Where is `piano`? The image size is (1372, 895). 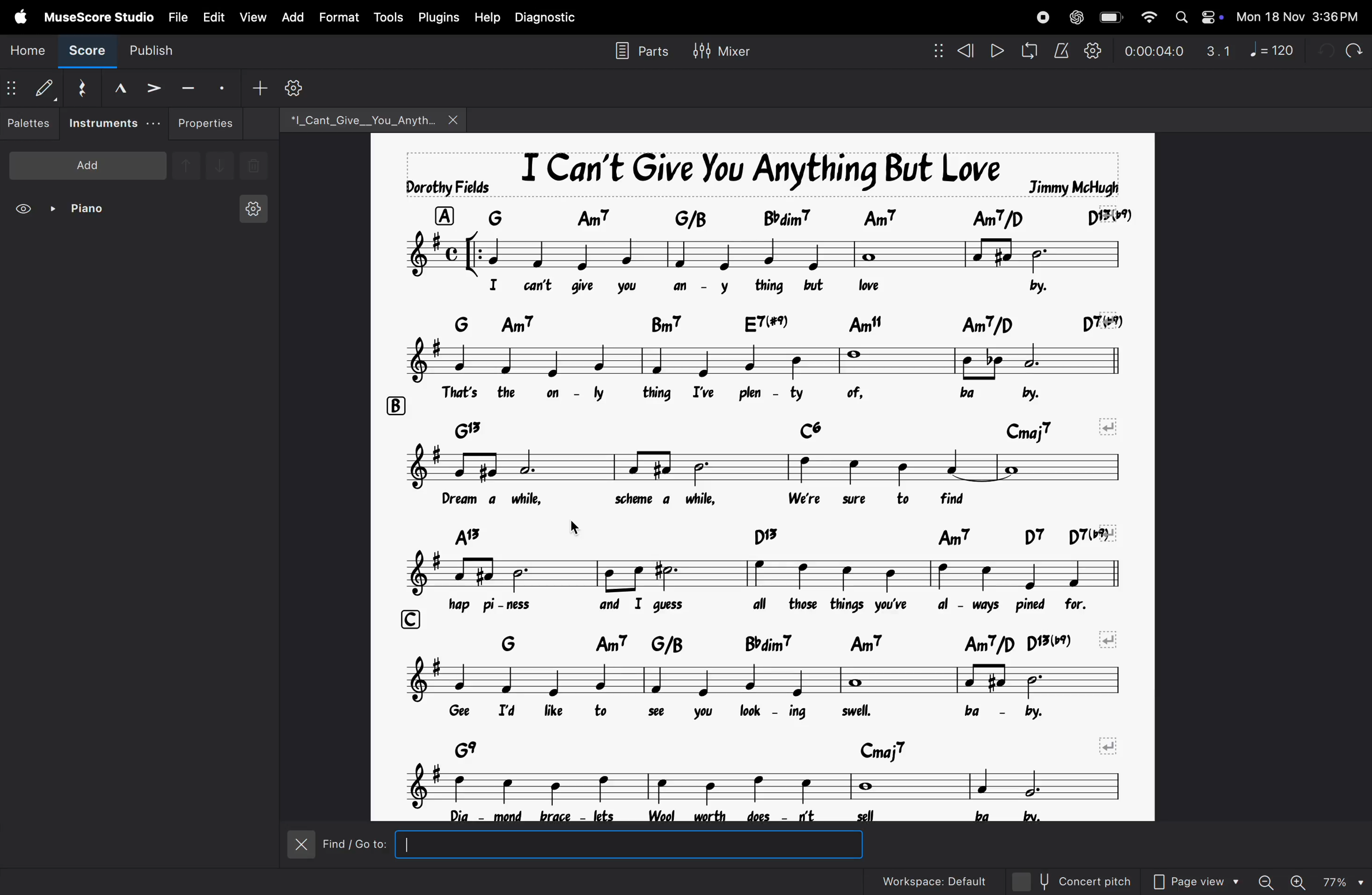 piano is located at coordinates (59, 210).